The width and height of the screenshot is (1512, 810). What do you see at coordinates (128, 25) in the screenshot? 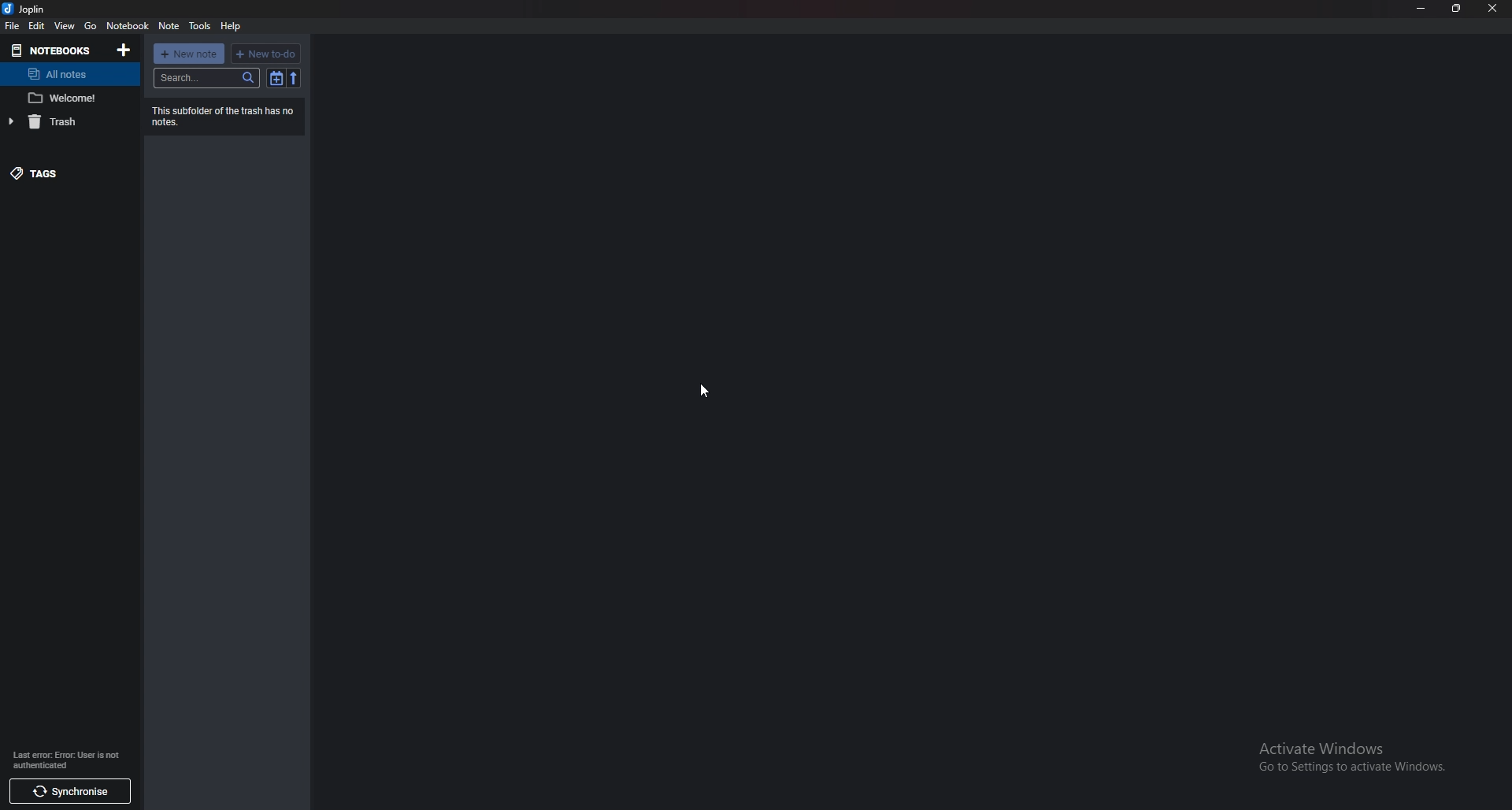
I see `Notebook` at bounding box center [128, 25].